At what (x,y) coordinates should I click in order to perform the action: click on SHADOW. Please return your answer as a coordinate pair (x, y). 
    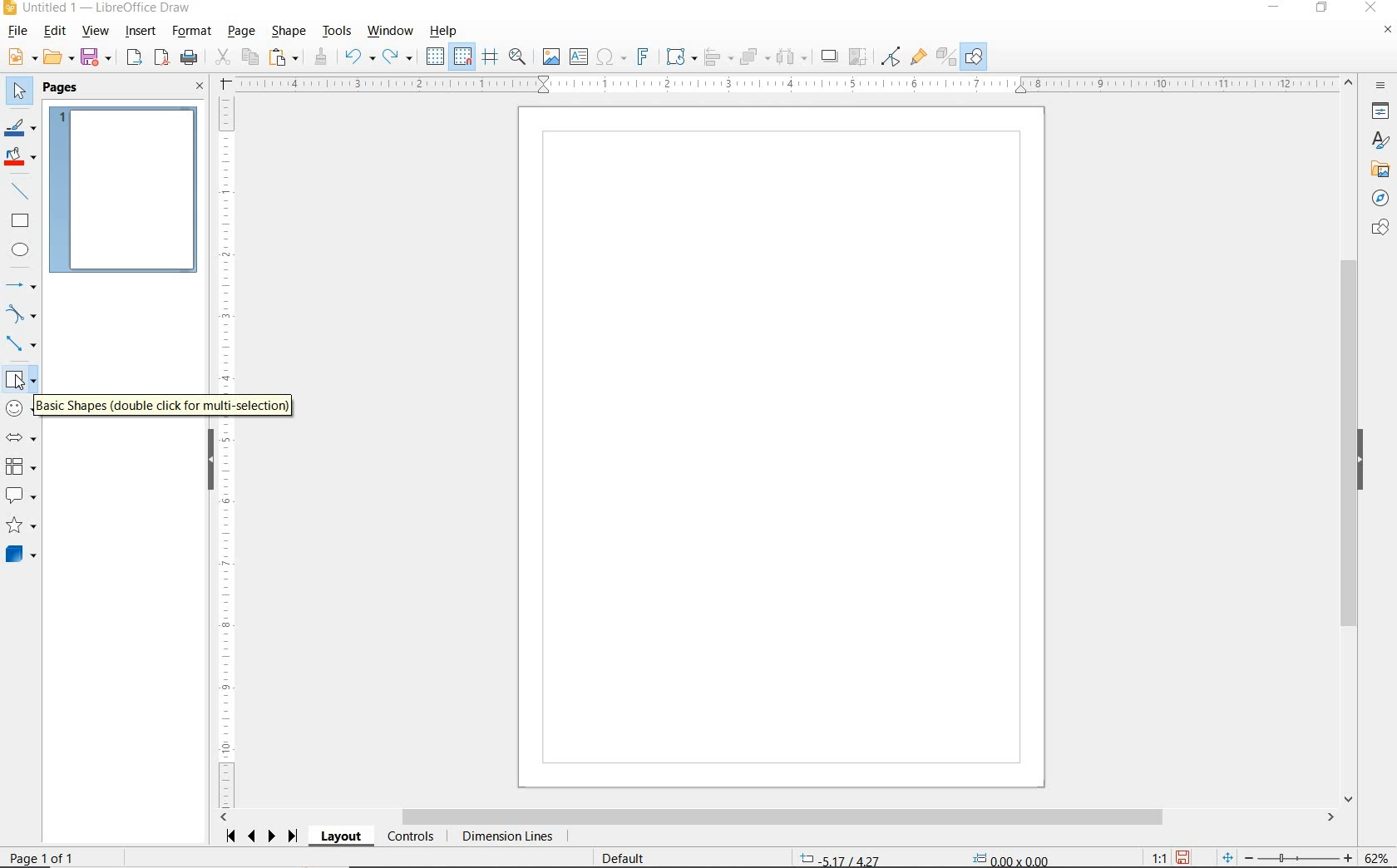
    Looking at the image, I should click on (830, 57).